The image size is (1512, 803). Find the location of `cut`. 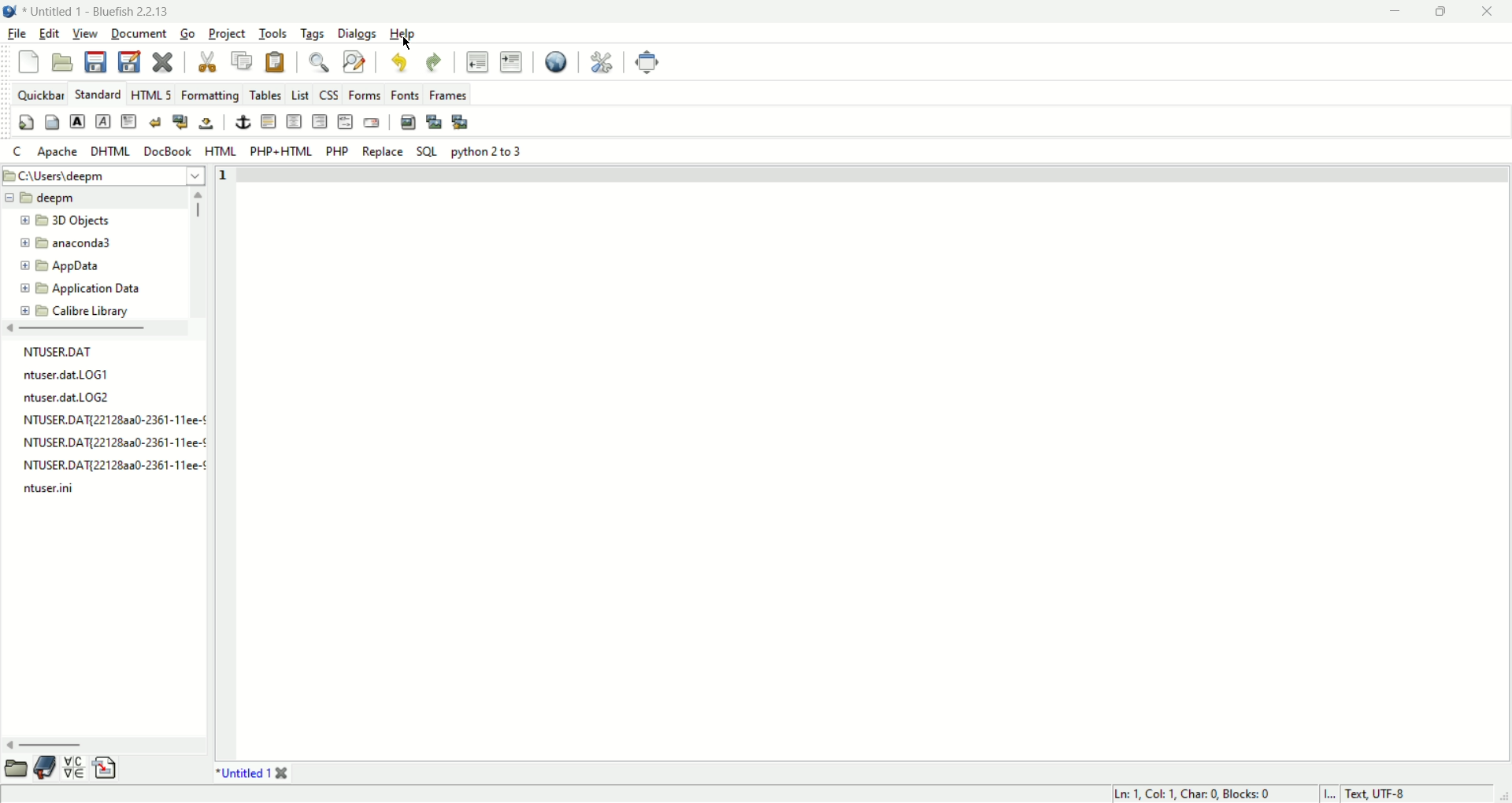

cut is located at coordinates (208, 62).